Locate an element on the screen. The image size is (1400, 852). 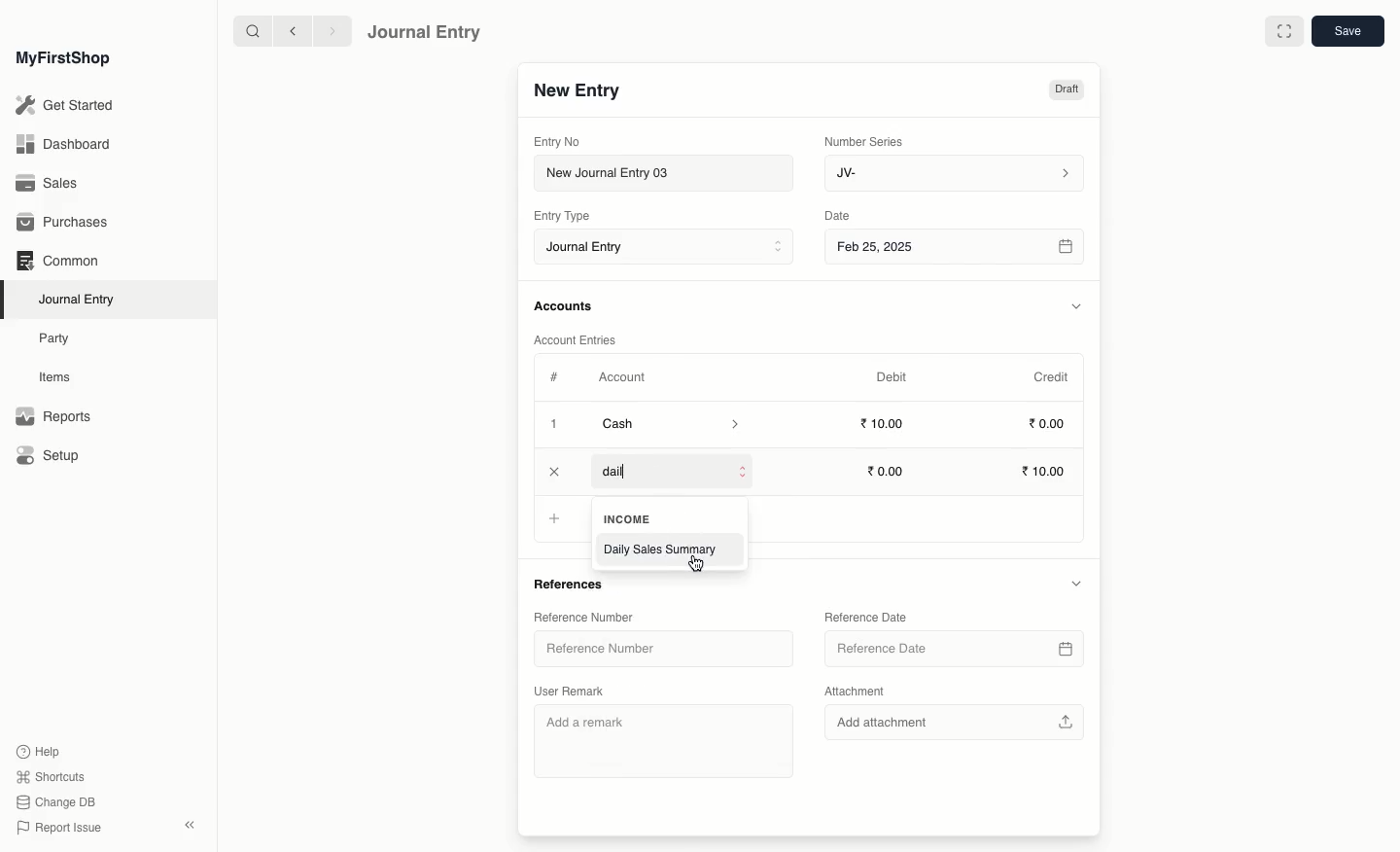
dail is located at coordinates (673, 473).